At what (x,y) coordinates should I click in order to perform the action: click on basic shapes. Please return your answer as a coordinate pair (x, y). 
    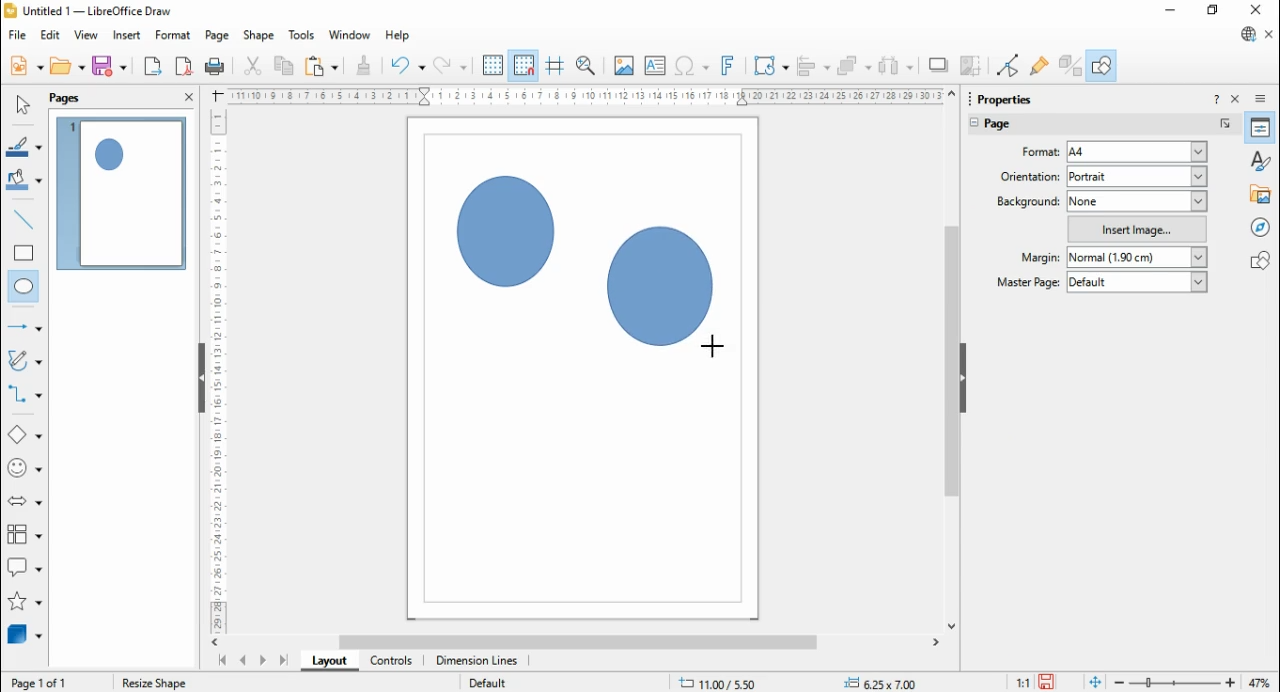
    Looking at the image, I should click on (25, 437).